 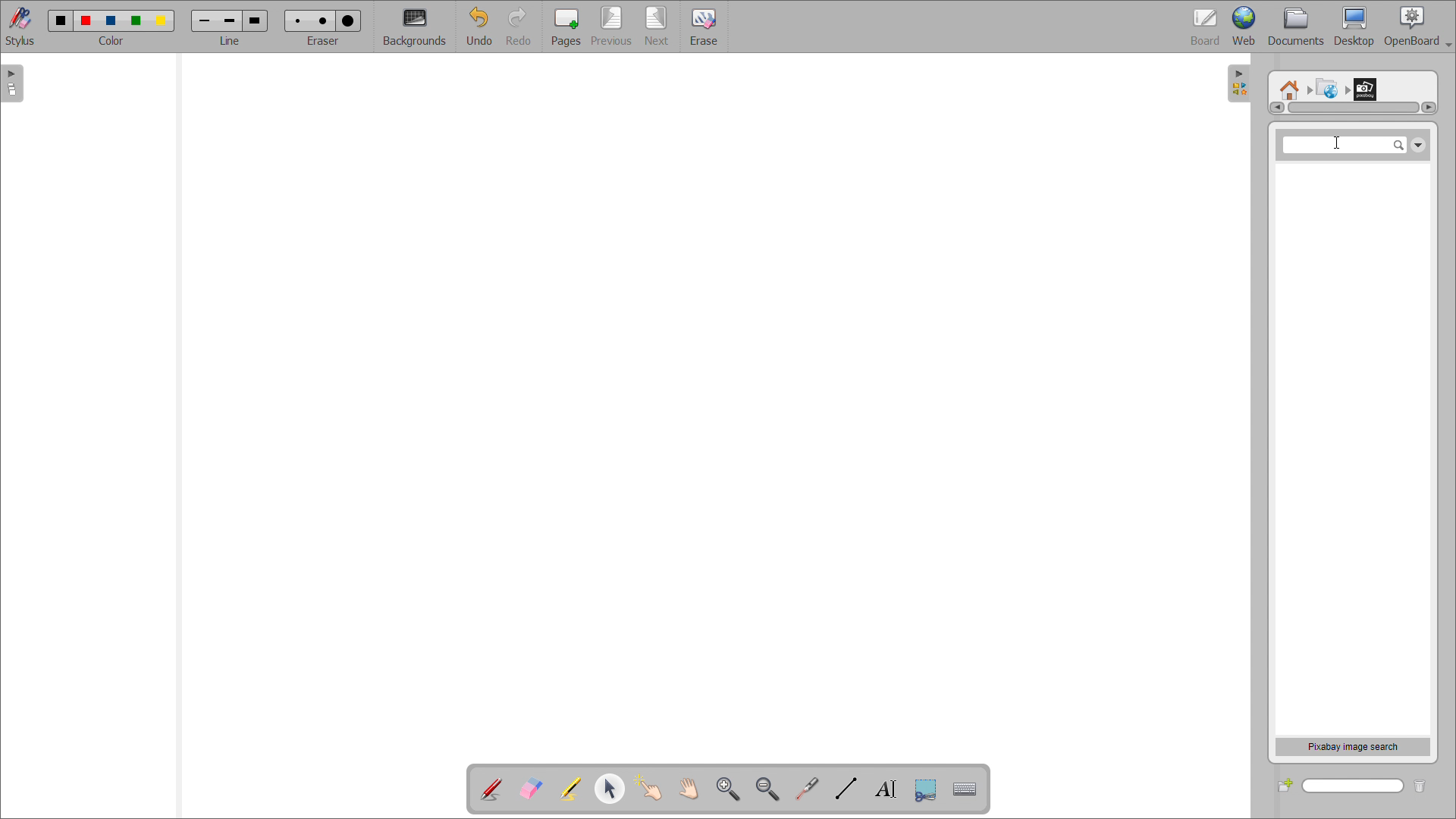 I want to click on search space, so click(x=1345, y=145).